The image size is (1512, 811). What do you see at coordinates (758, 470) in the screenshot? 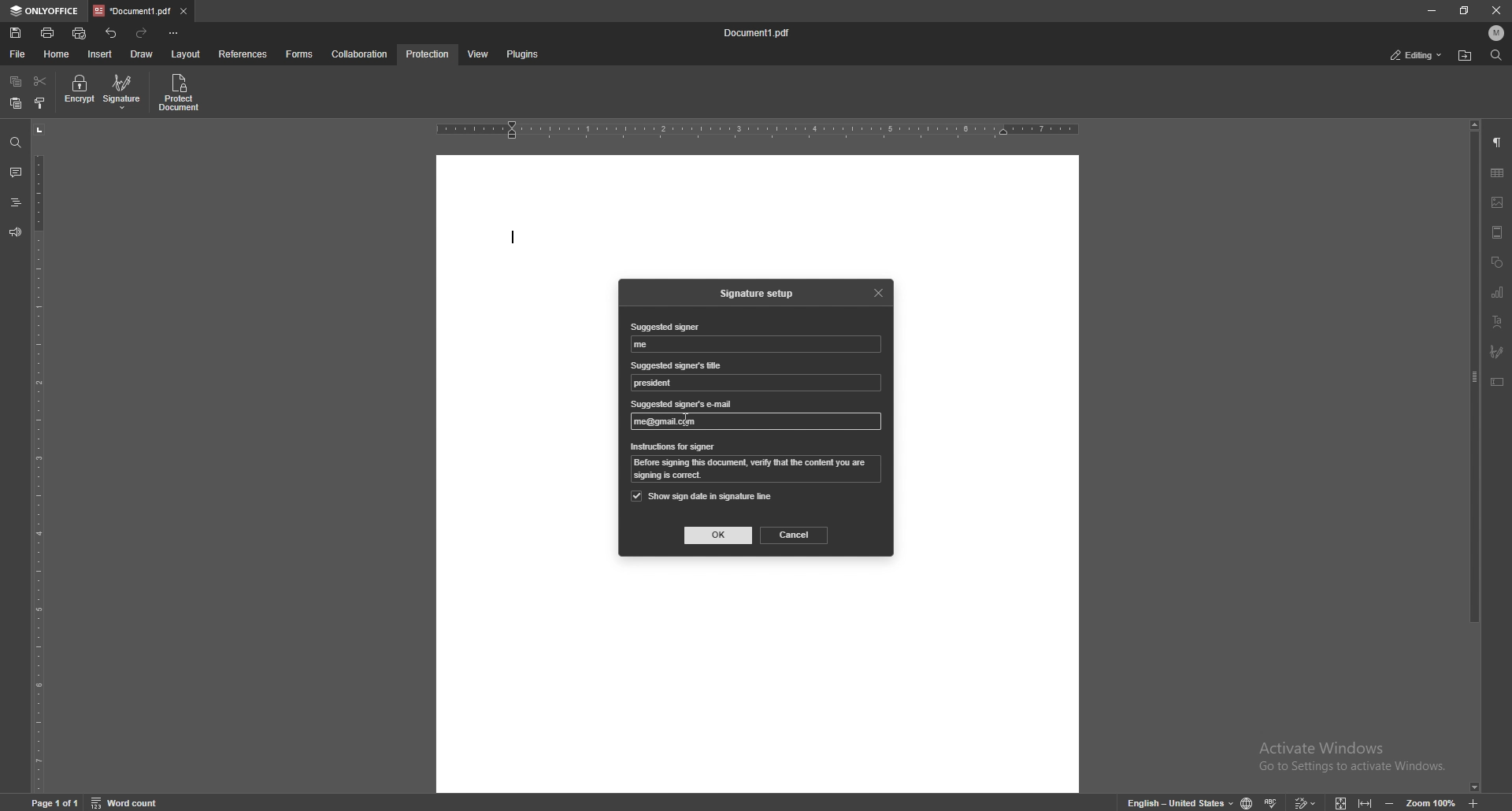
I see `instruction` at bounding box center [758, 470].